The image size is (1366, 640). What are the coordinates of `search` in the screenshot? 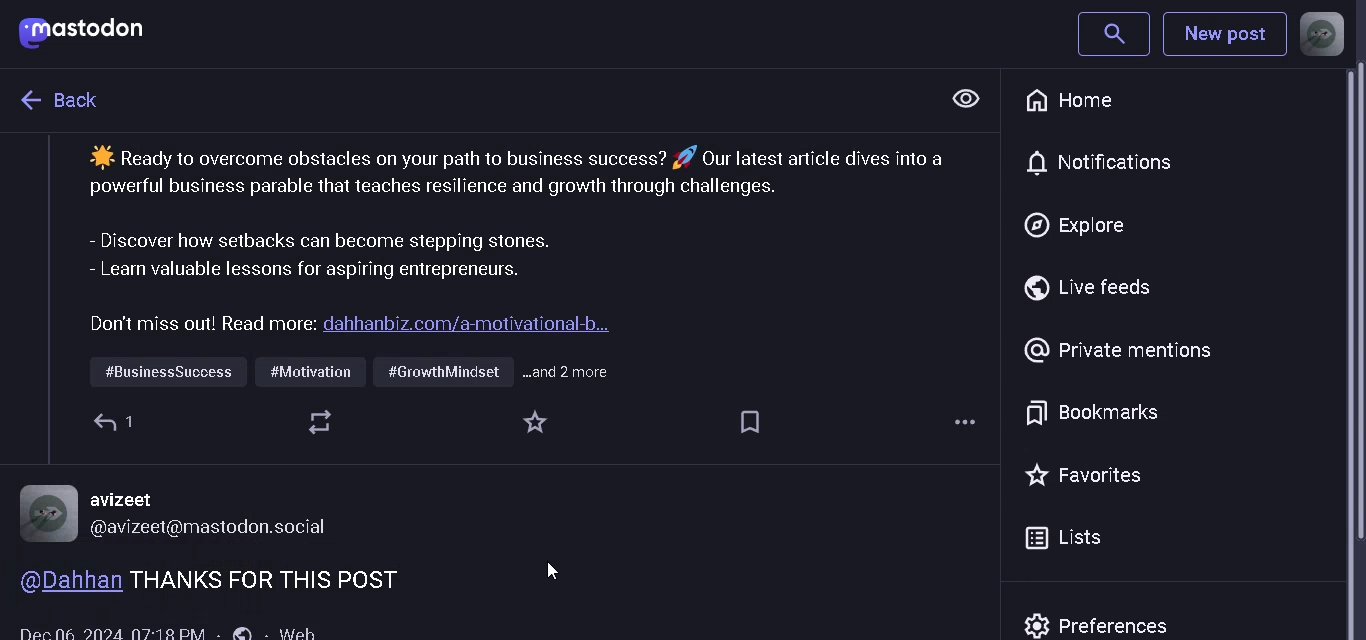 It's located at (1113, 33).